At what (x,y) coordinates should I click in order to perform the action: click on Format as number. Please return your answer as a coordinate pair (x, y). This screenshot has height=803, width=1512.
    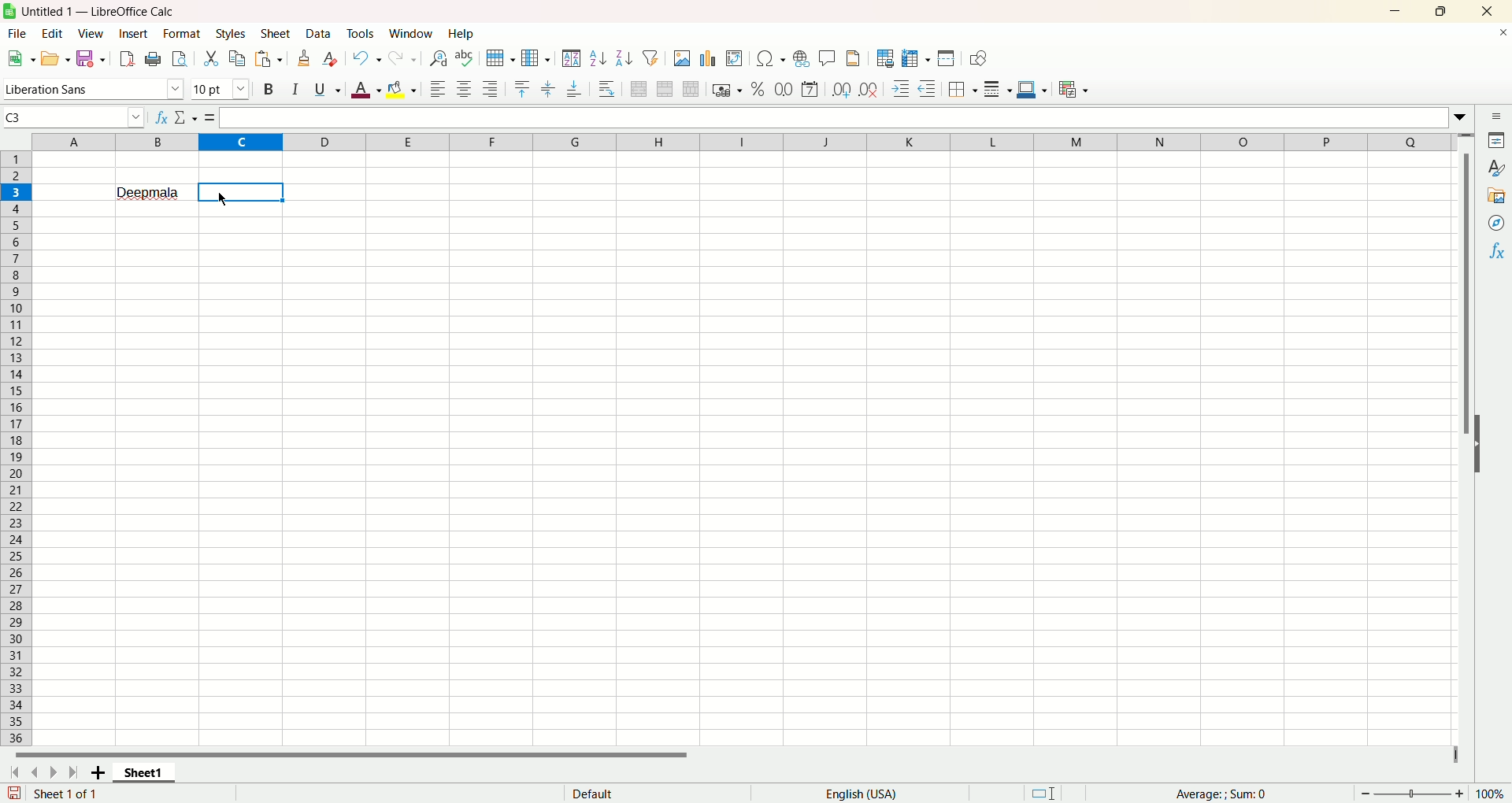
    Looking at the image, I should click on (784, 88).